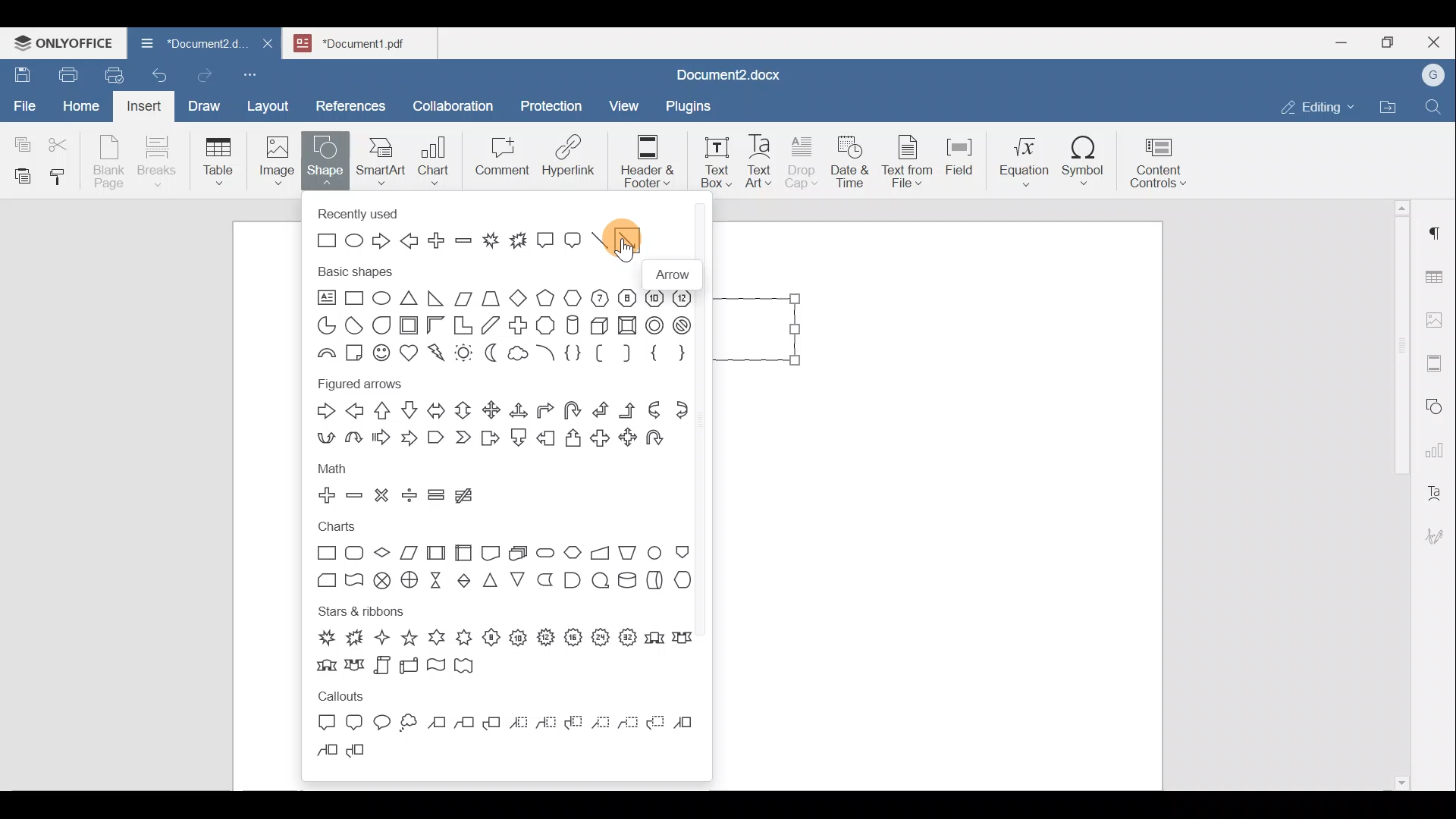 The height and width of the screenshot is (819, 1456). I want to click on Cut, so click(64, 141).